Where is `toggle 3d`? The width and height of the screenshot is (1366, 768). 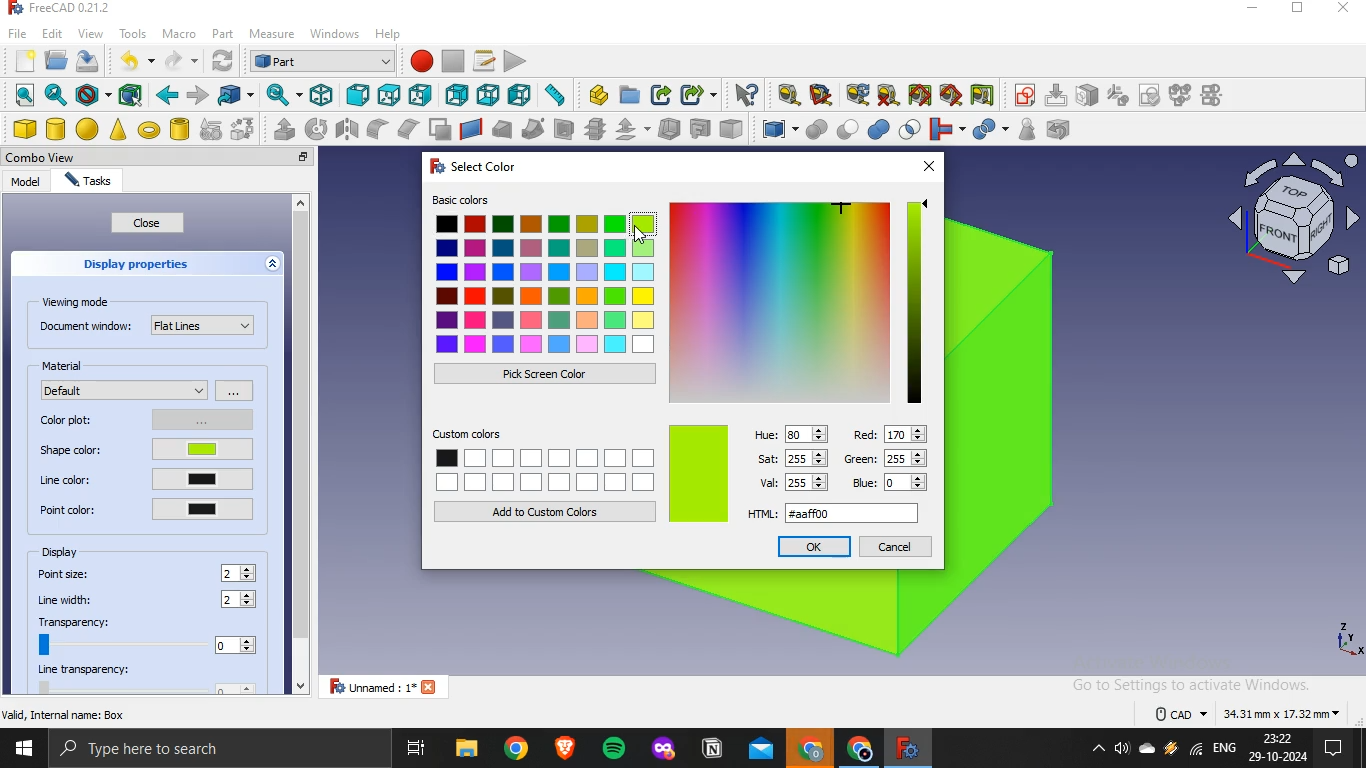 toggle 3d is located at coordinates (951, 95).